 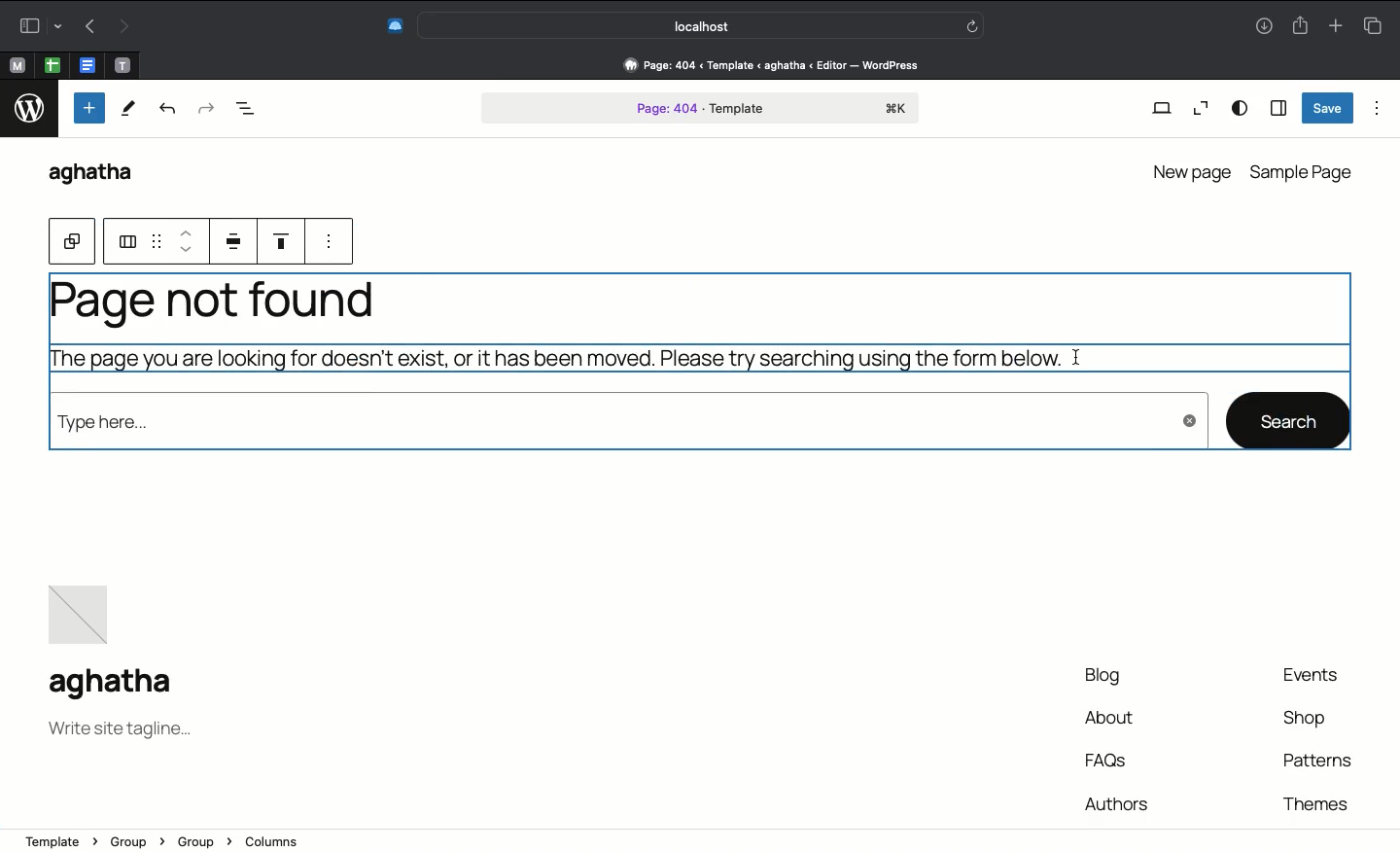 I want to click on search, so click(x=1289, y=419).